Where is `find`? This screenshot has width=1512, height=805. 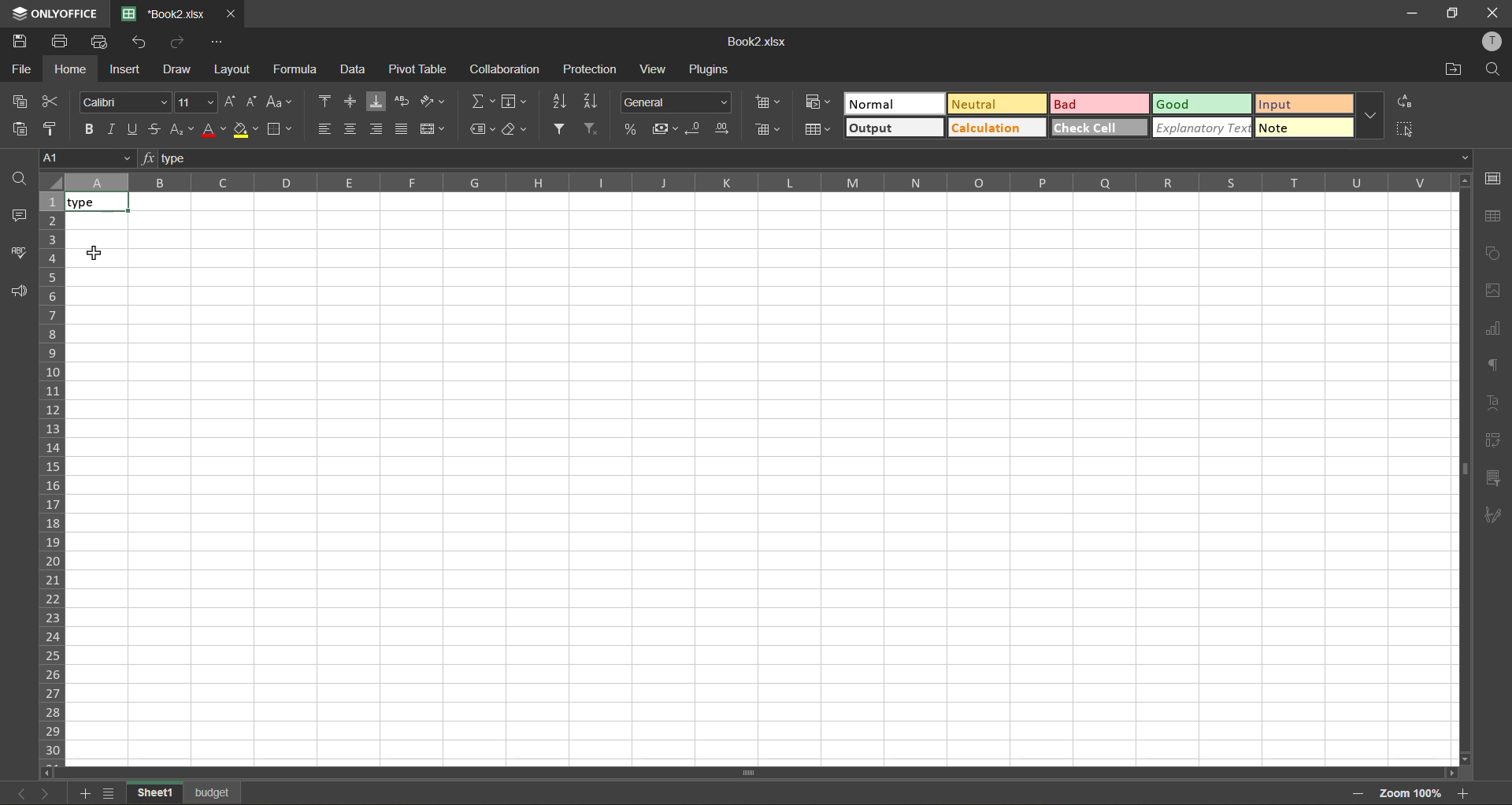 find is located at coordinates (18, 177).